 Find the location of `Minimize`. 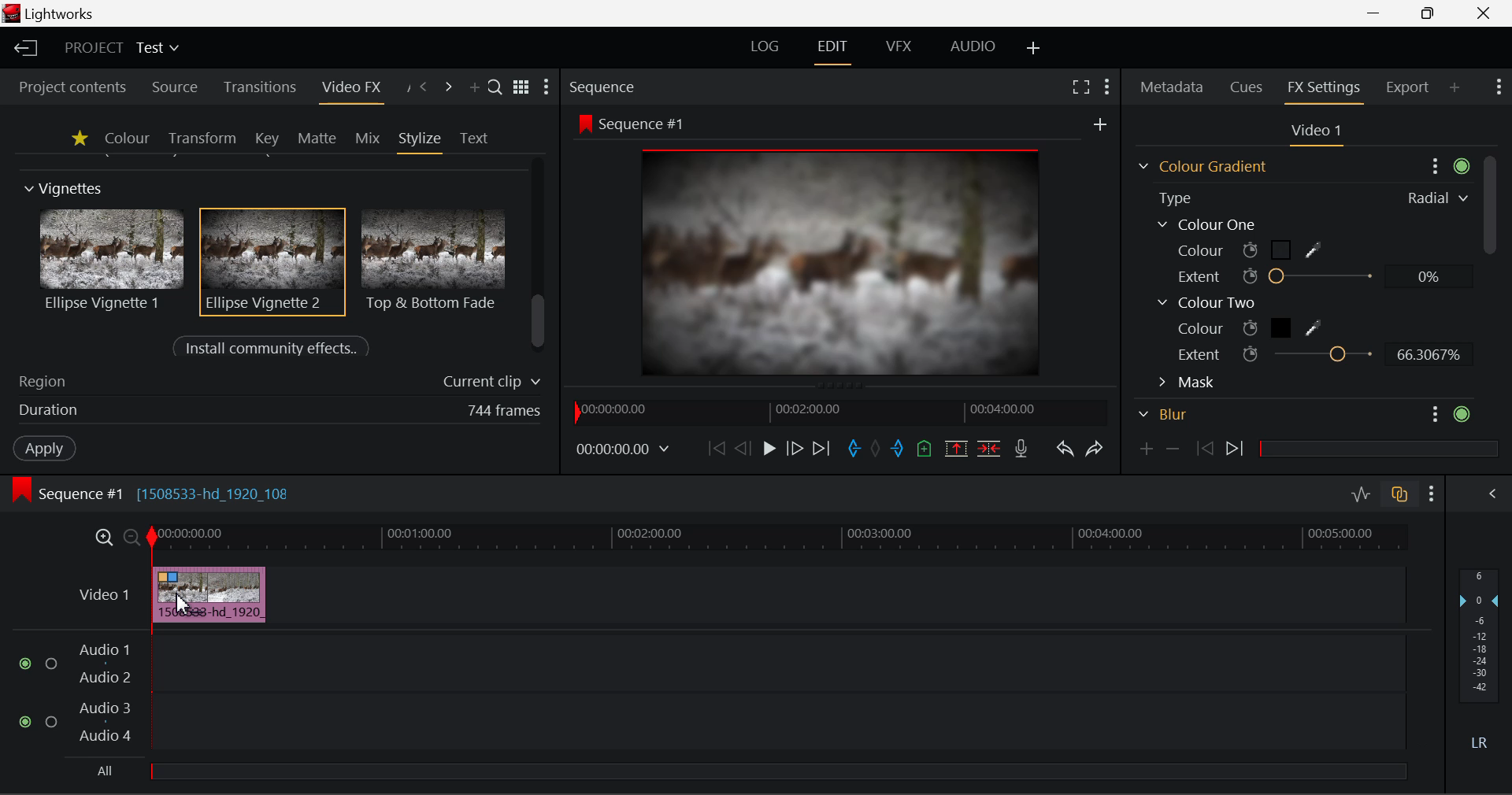

Minimize is located at coordinates (1429, 14).